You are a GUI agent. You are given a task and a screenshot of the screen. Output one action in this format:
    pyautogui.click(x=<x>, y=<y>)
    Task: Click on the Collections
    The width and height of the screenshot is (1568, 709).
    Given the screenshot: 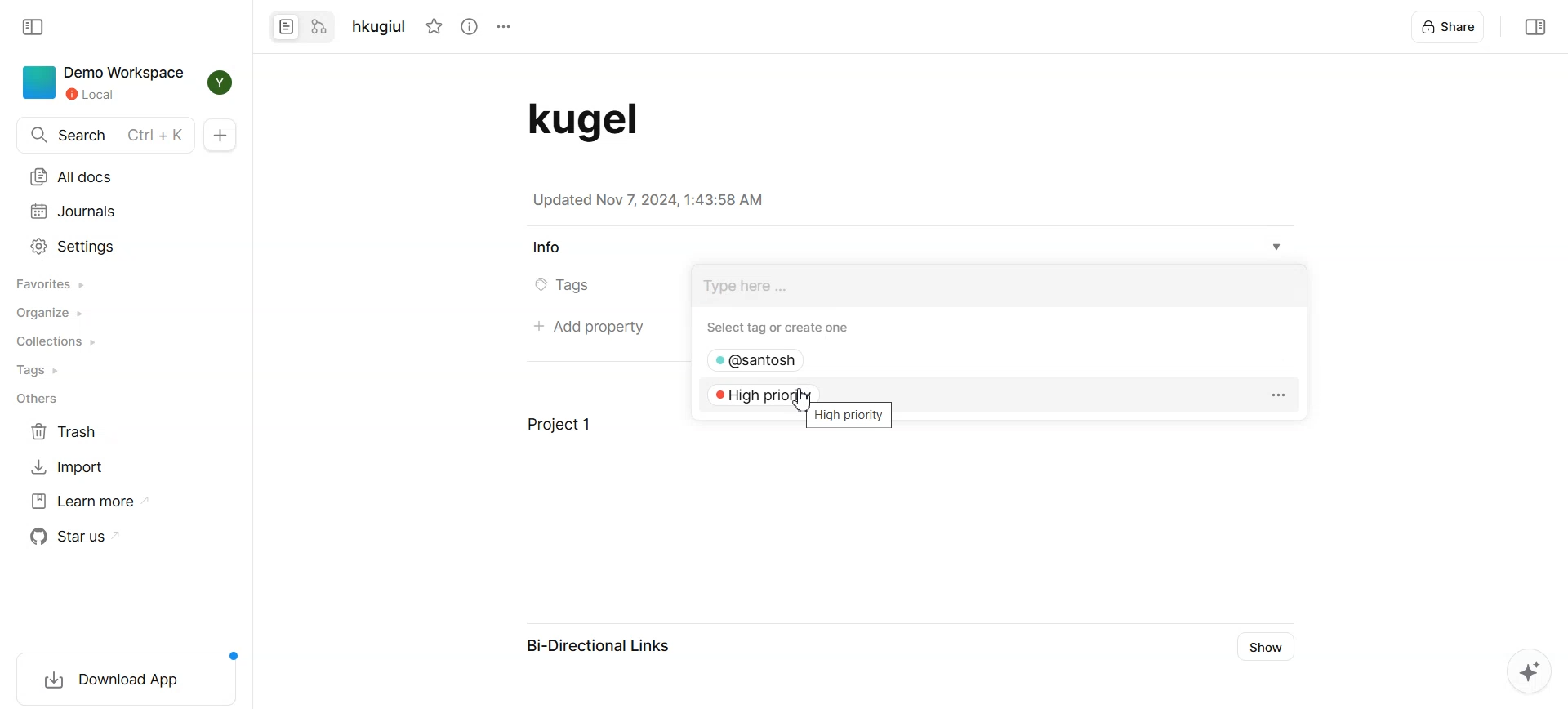 What is the action you would take?
    pyautogui.click(x=55, y=342)
    